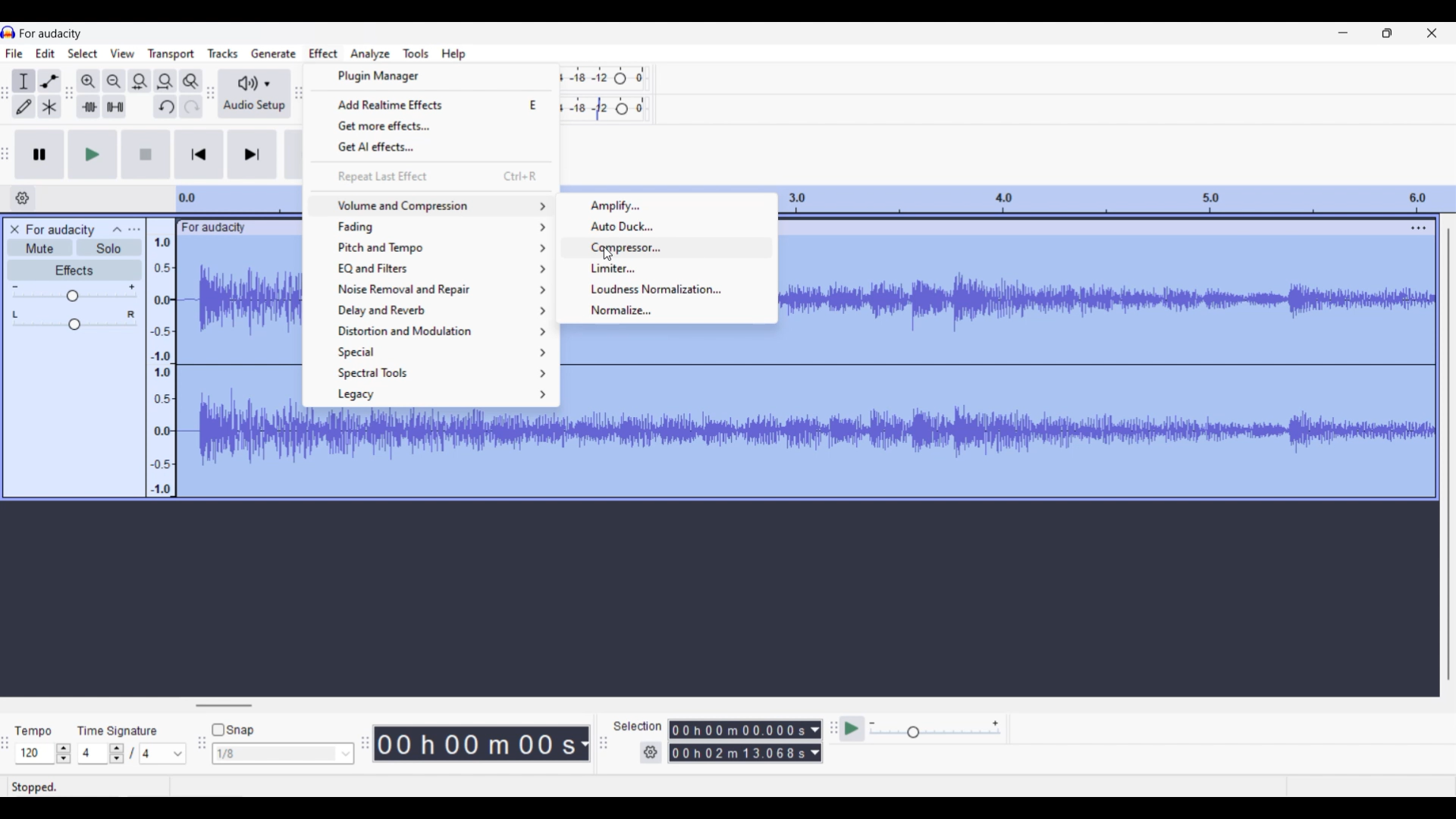 The image size is (1456, 819). Describe the element at coordinates (191, 106) in the screenshot. I see `Redo` at that location.